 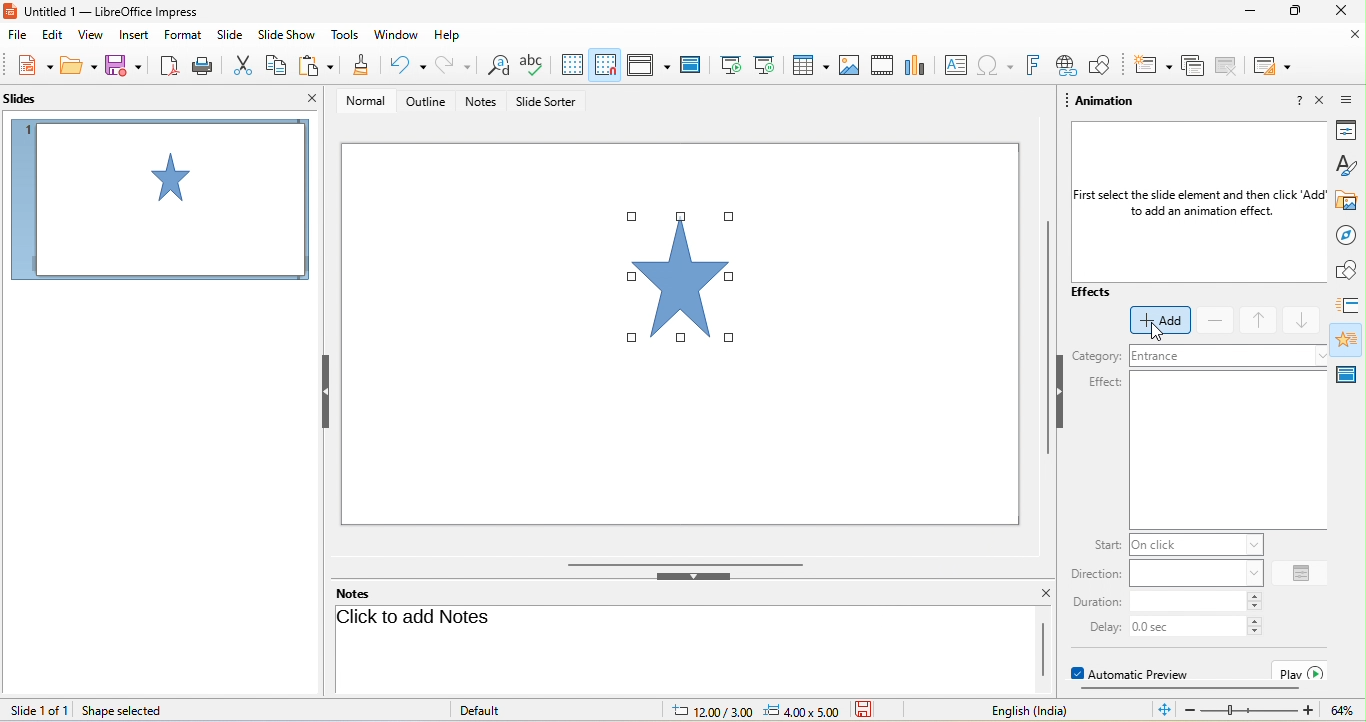 I want to click on hide bottom bar, so click(x=693, y=578).